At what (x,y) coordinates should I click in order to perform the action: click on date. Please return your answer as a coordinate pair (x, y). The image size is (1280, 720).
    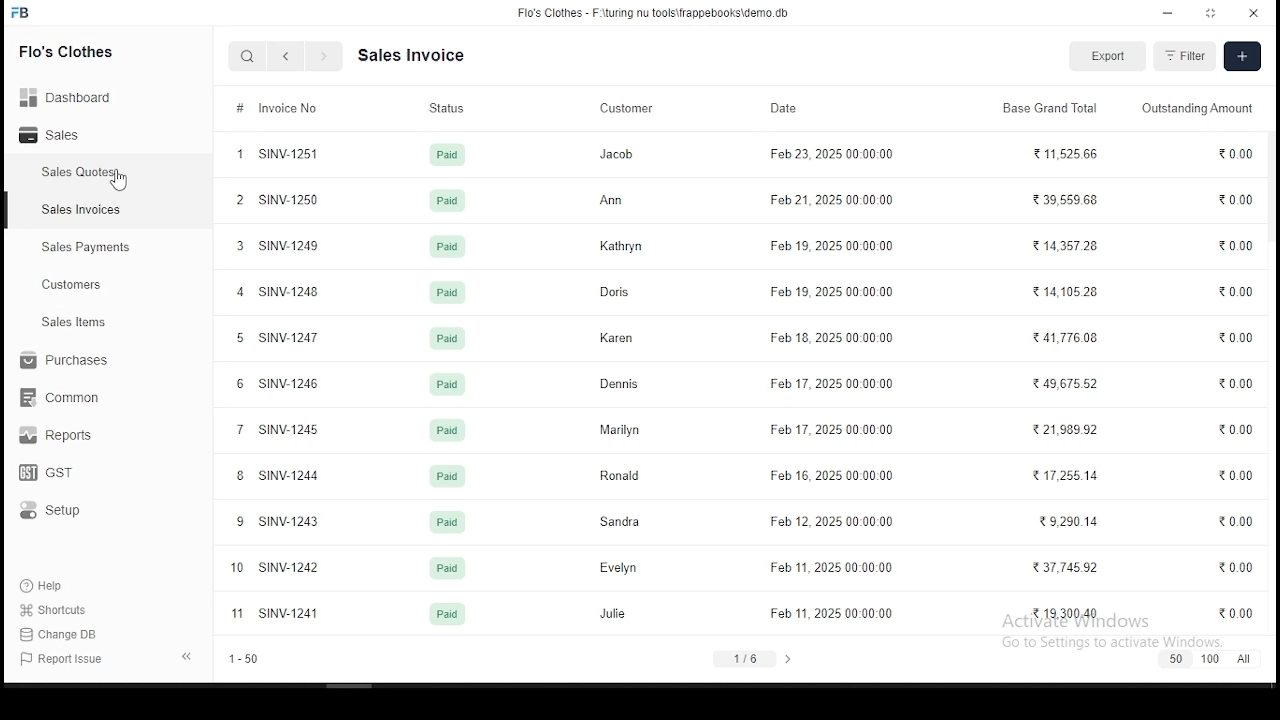
    Looking at the image, I should click on (789, 112).